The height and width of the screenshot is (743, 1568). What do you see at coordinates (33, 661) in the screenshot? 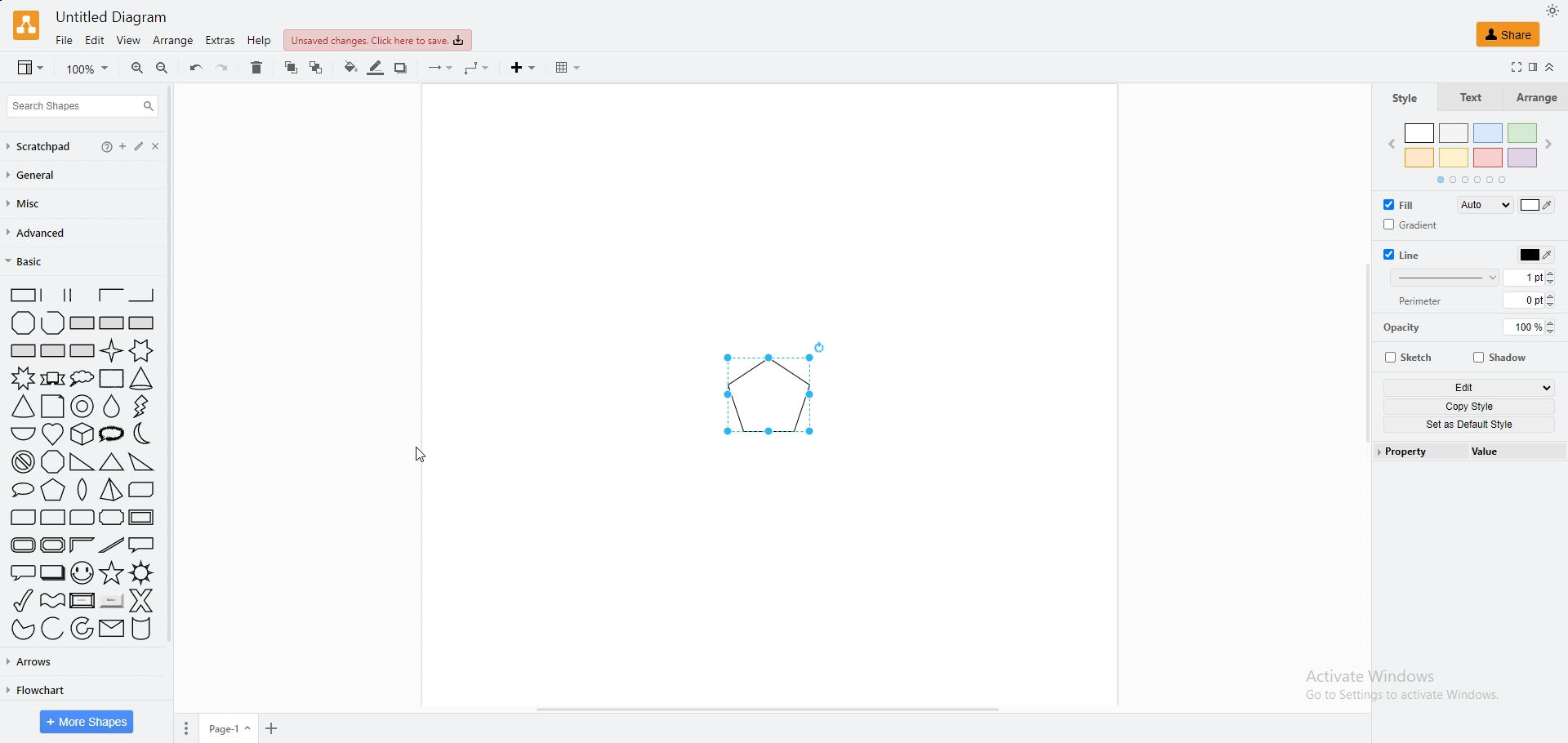
I see `arrows` at bounding box center [33, 661].